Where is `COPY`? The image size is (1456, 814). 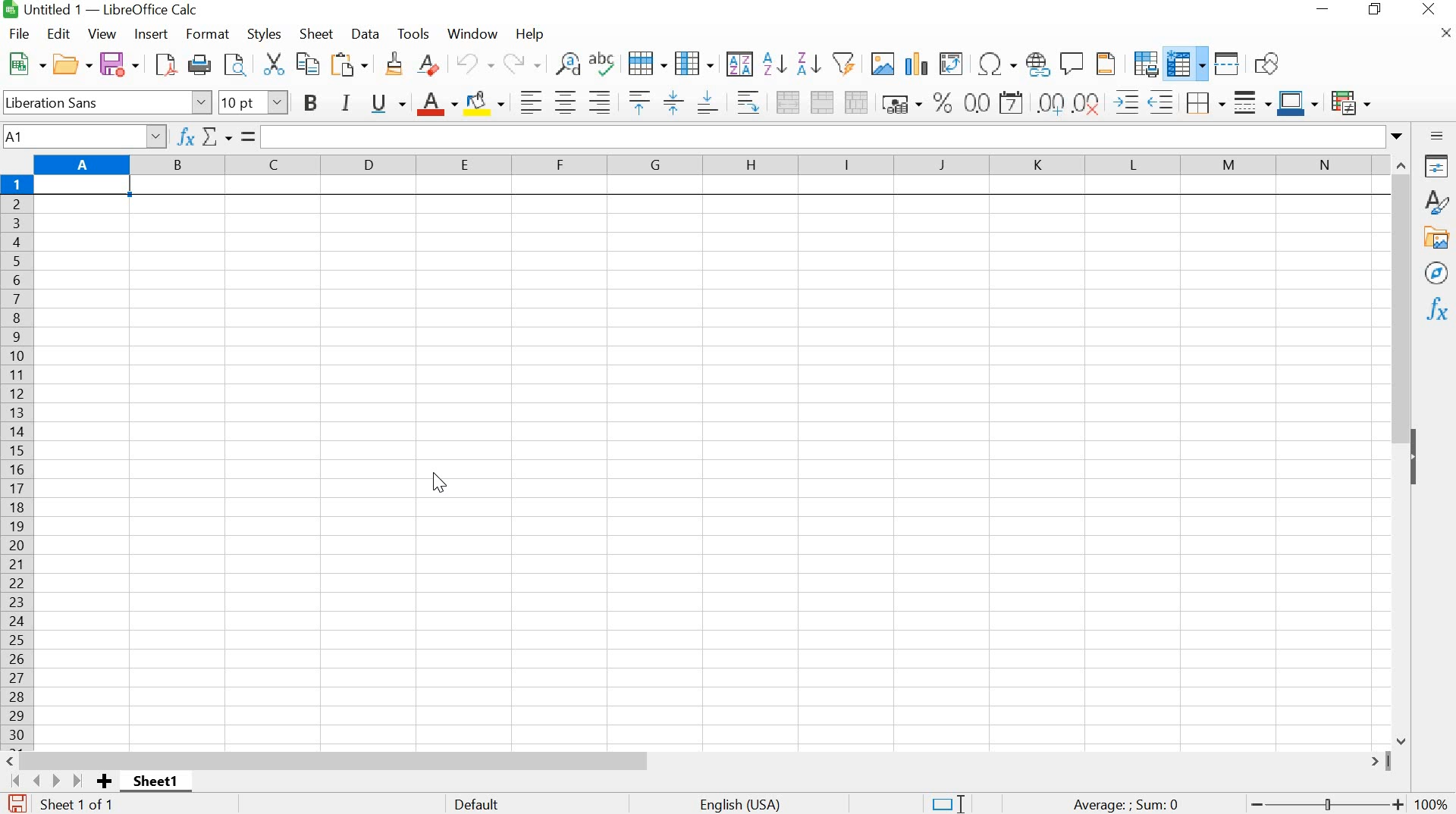
COPY is located at coordinates (308, 66).